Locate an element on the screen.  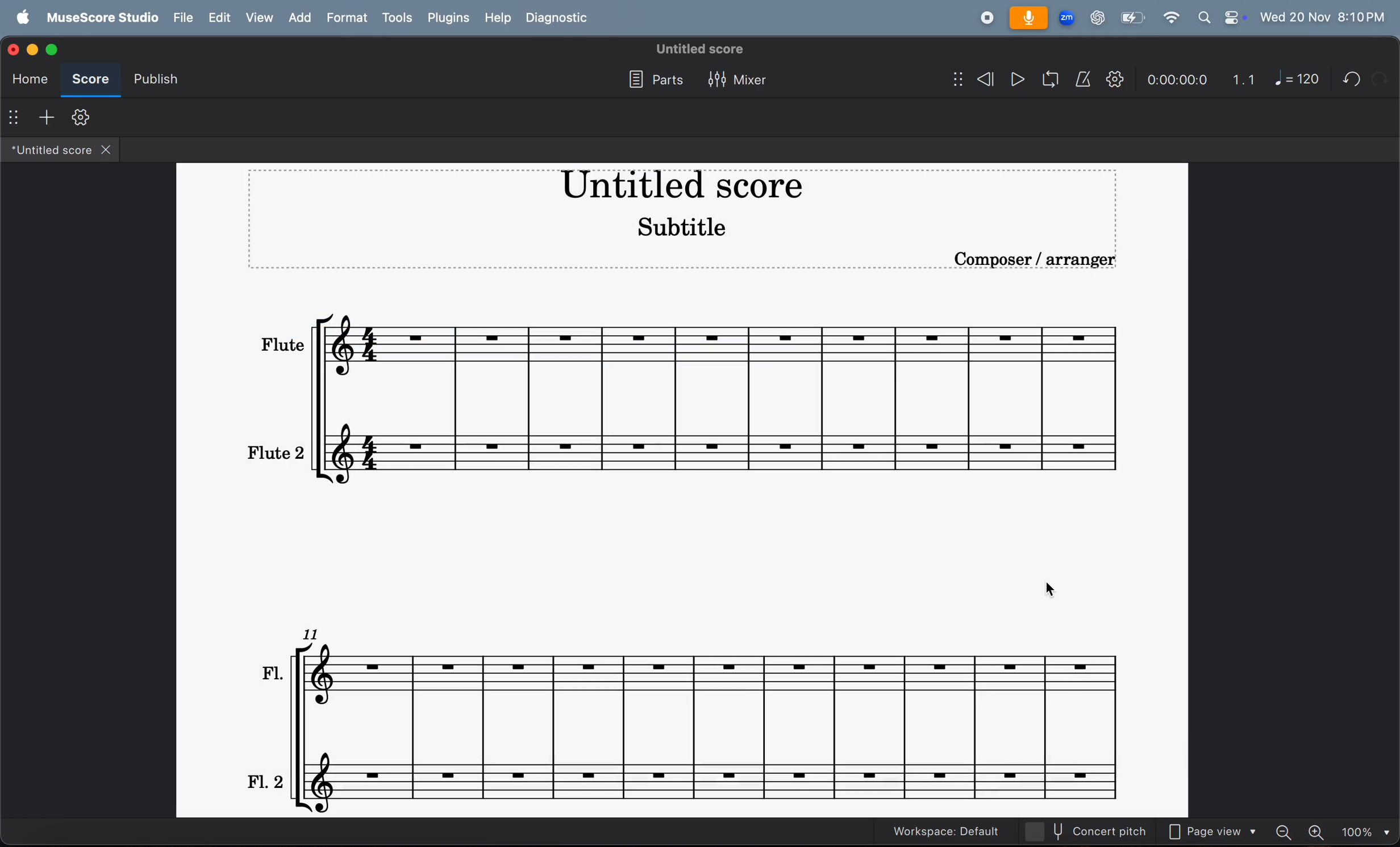
cursor is located at coordinates (1057, 593).